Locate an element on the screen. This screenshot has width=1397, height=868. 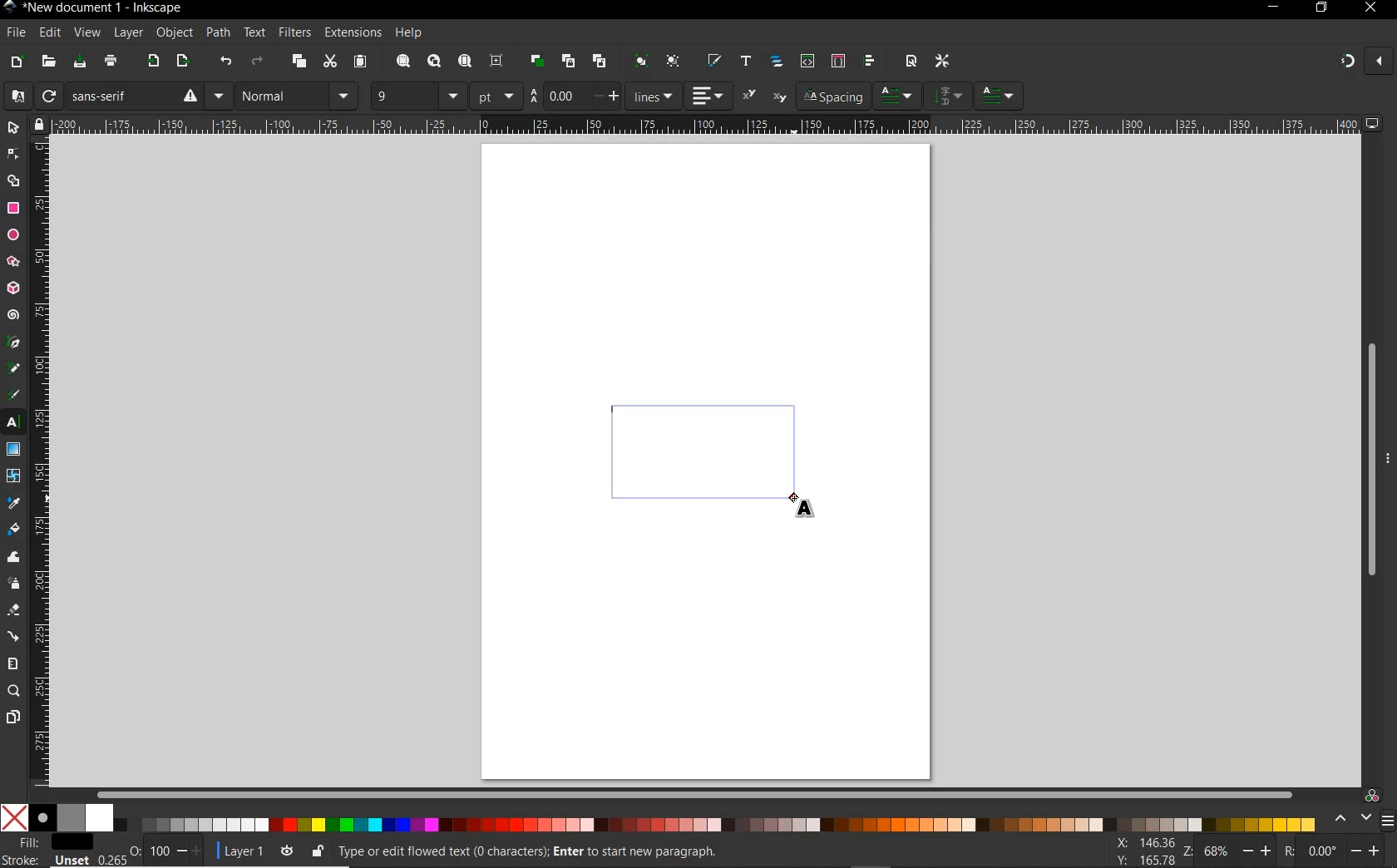
Gradient Tool is located at coordinates (13, 450).